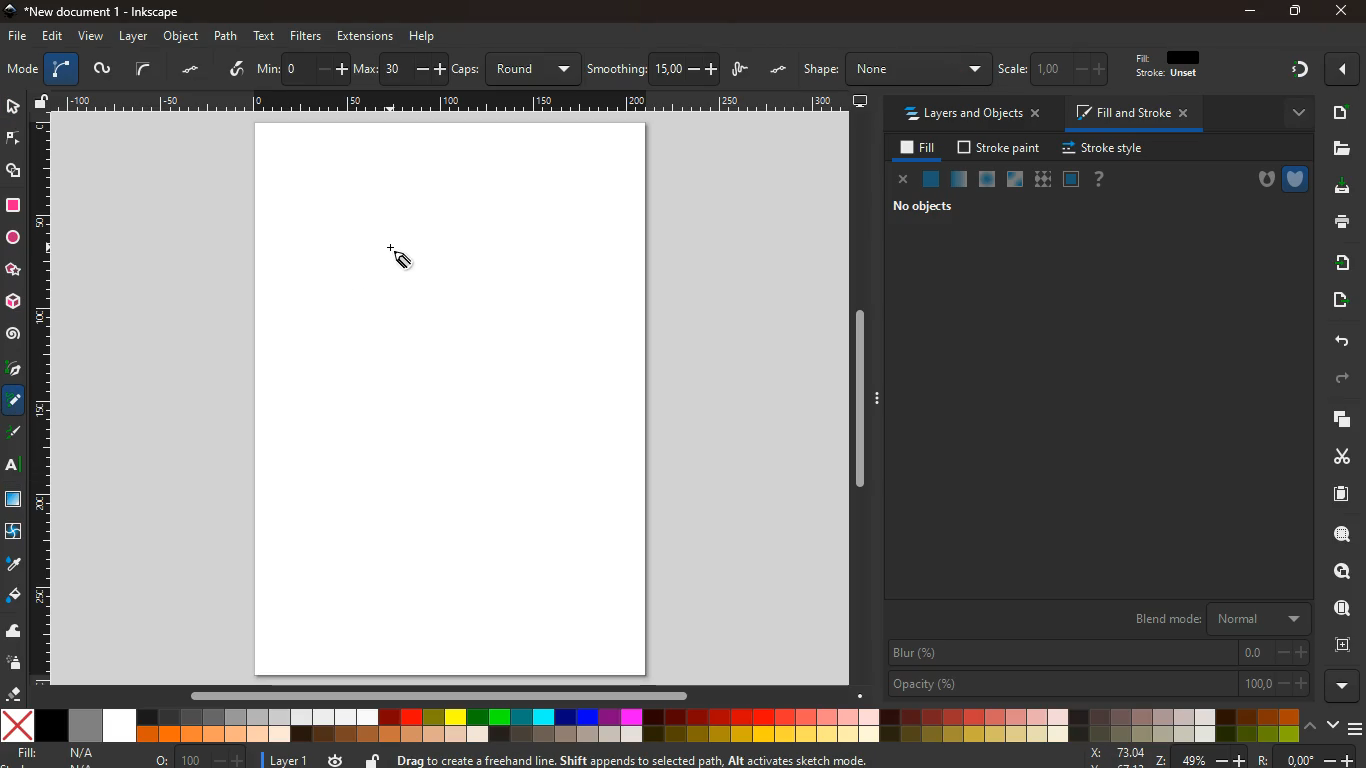  What do you see at coordinates (651, 727) in the screenshot?
I see `color palette` at bounding box center [651, 727].